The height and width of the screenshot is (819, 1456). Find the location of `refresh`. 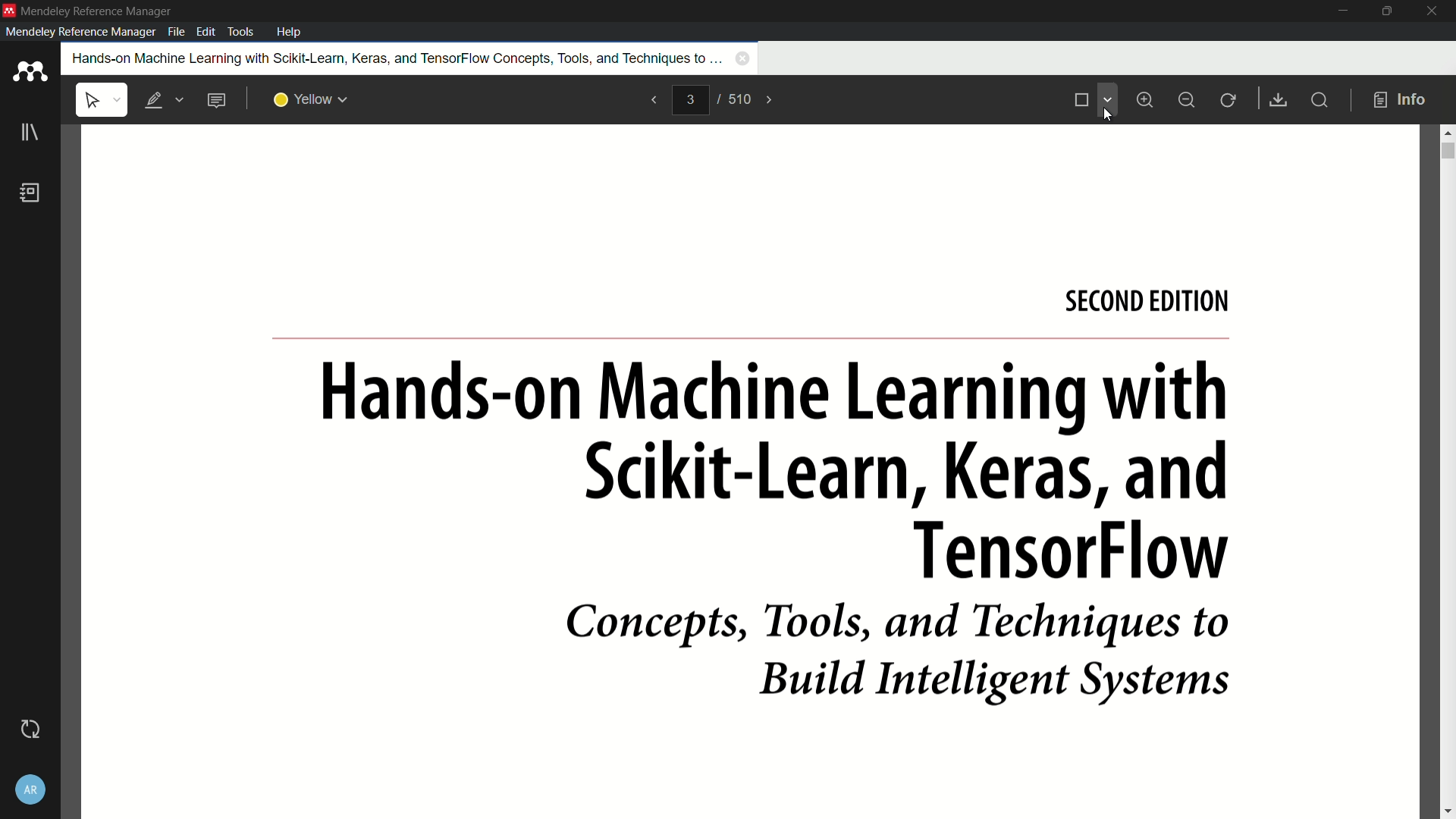

refresh is located at coordinates (1229, 101).